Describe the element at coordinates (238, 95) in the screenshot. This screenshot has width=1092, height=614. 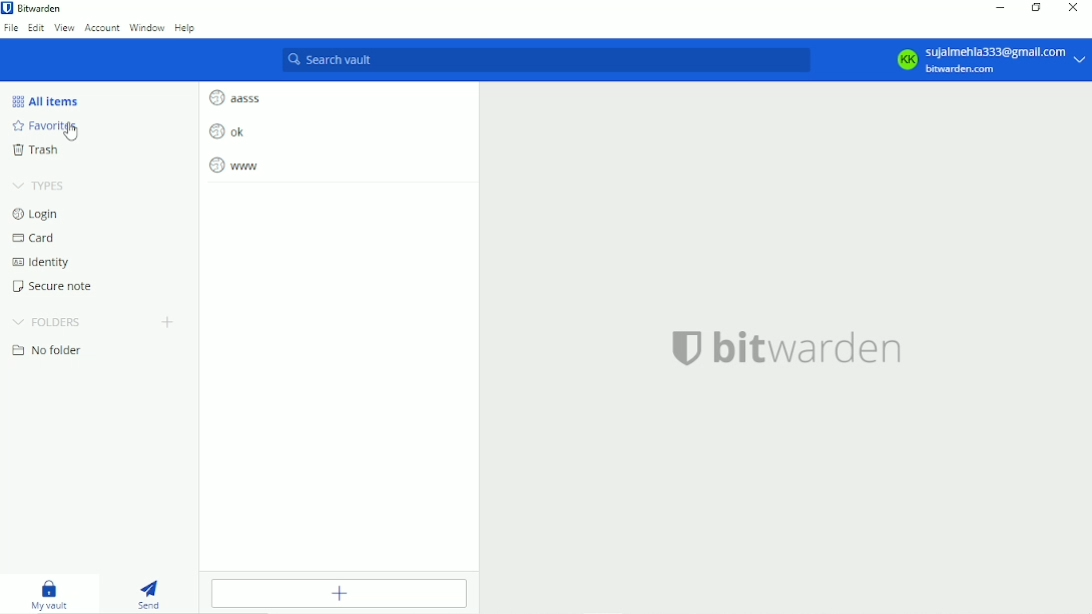
I see `aasss` at that location.